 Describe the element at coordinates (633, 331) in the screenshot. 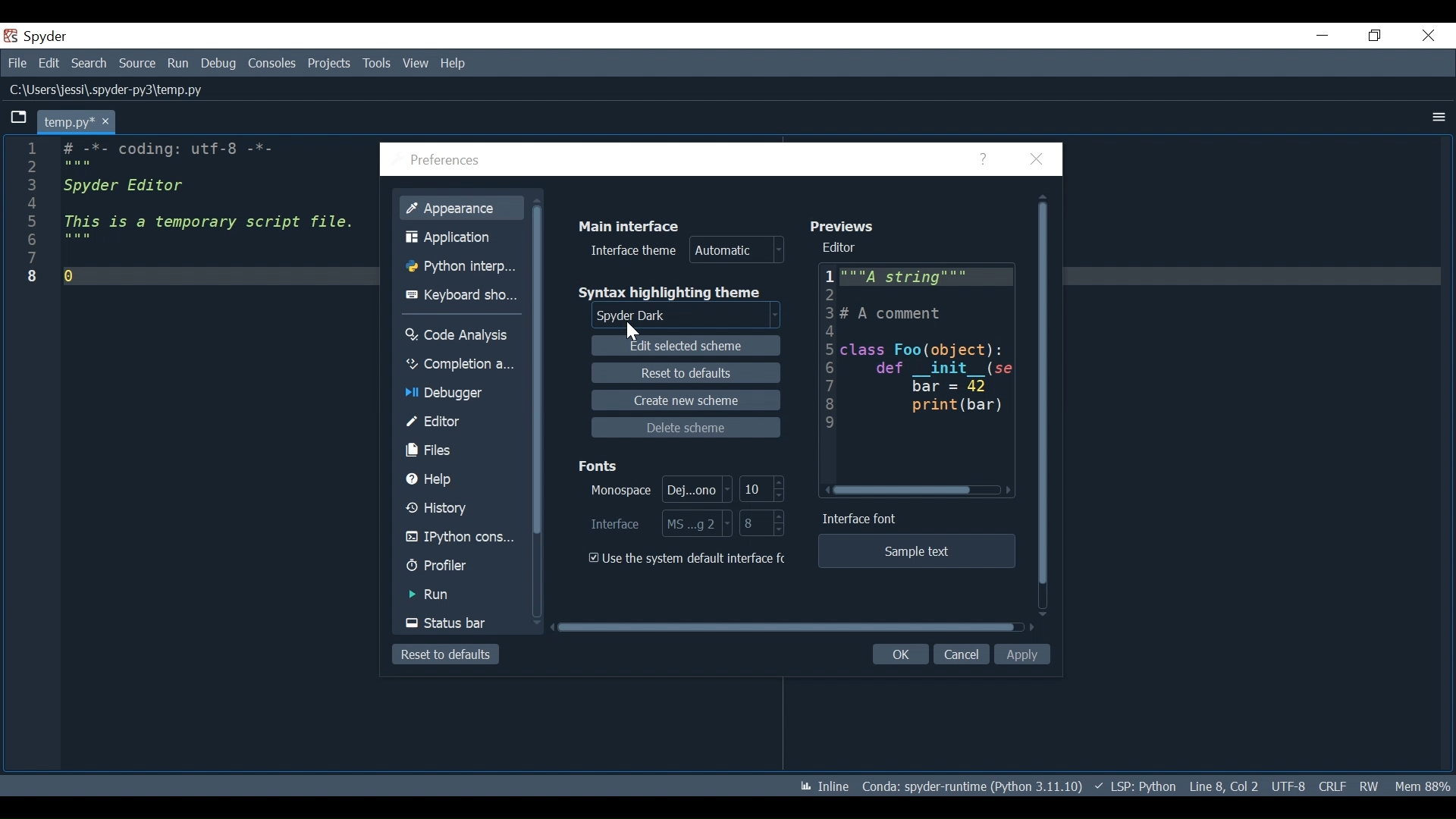

I see `Cursor` at that location.